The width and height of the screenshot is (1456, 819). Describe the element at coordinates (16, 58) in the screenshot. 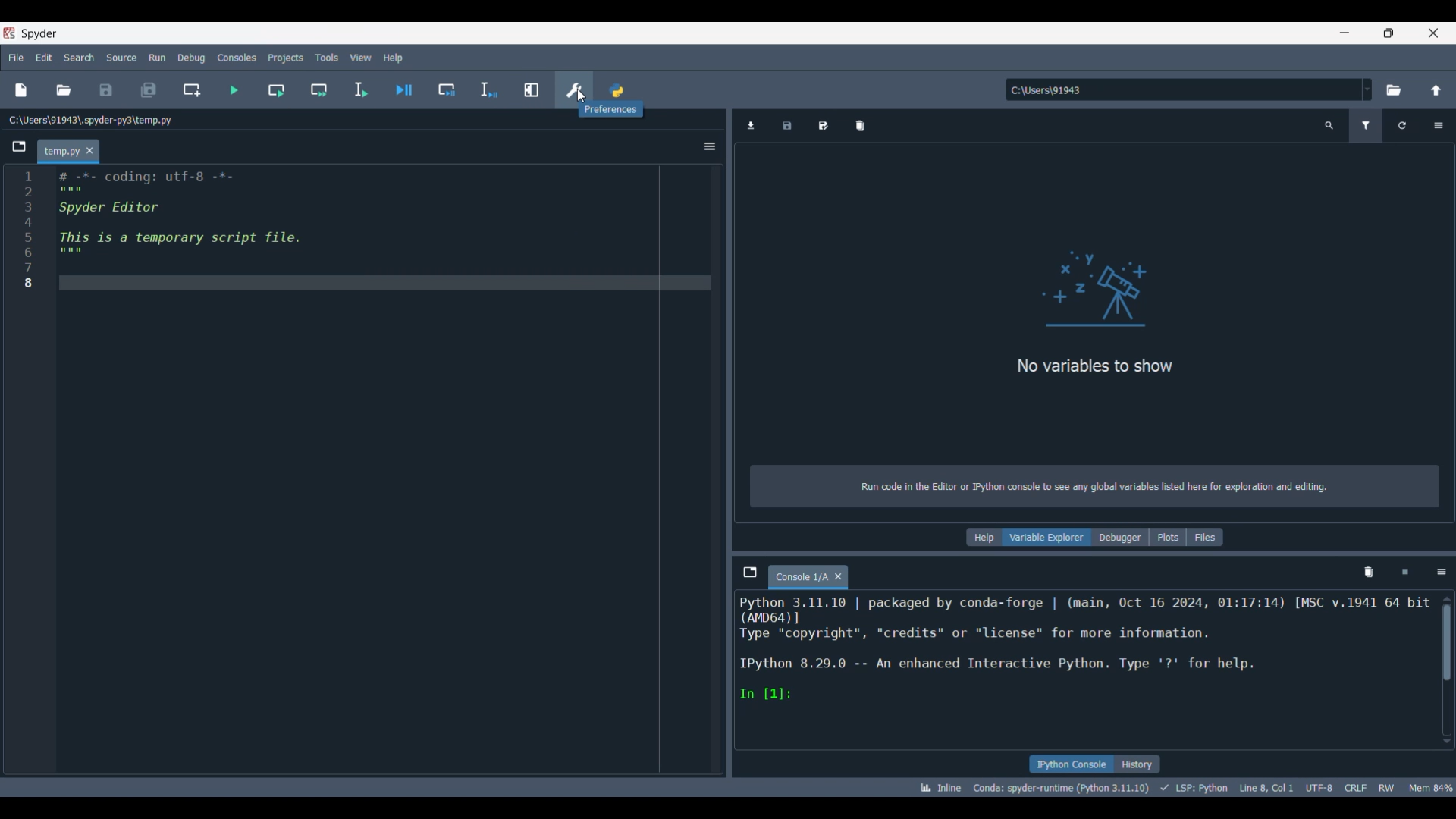

I see `File menu` at that location.